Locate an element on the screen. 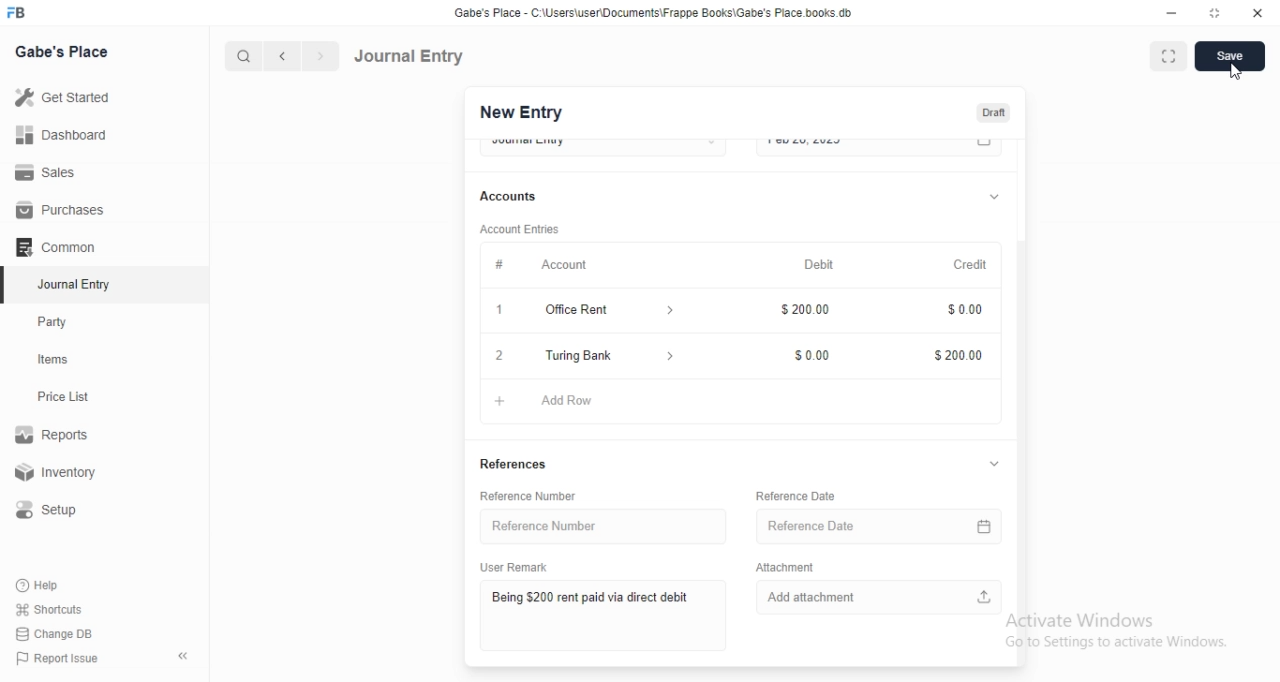 The image size is (1280, 682). Reference Date is located at coordinates (873, 527).